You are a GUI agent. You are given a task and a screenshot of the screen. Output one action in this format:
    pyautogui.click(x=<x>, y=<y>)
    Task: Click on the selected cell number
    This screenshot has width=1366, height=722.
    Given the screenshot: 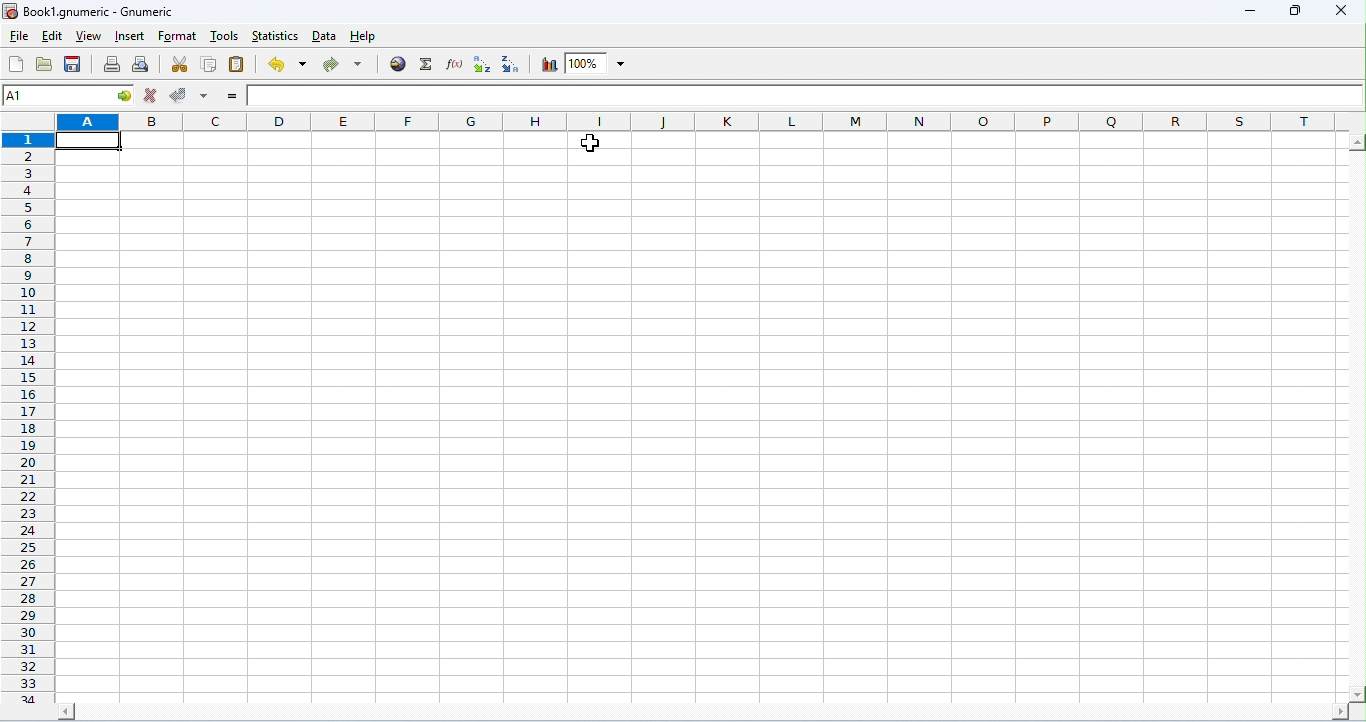 What is the action you would take?
    pyautogui.click(x=54, y=95)
    